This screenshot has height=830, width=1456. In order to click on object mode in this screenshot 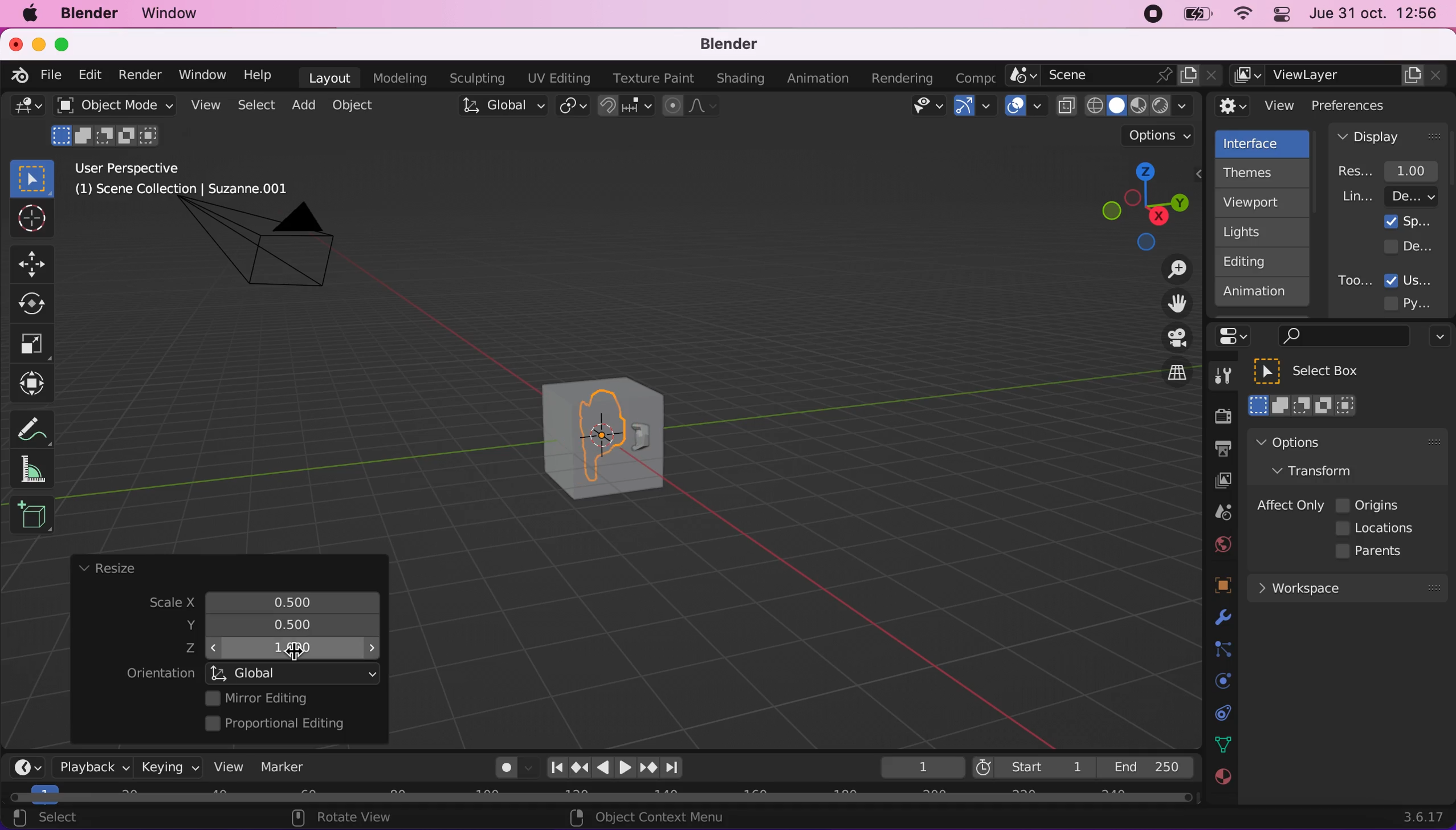, I will do `click(111, 105)`.